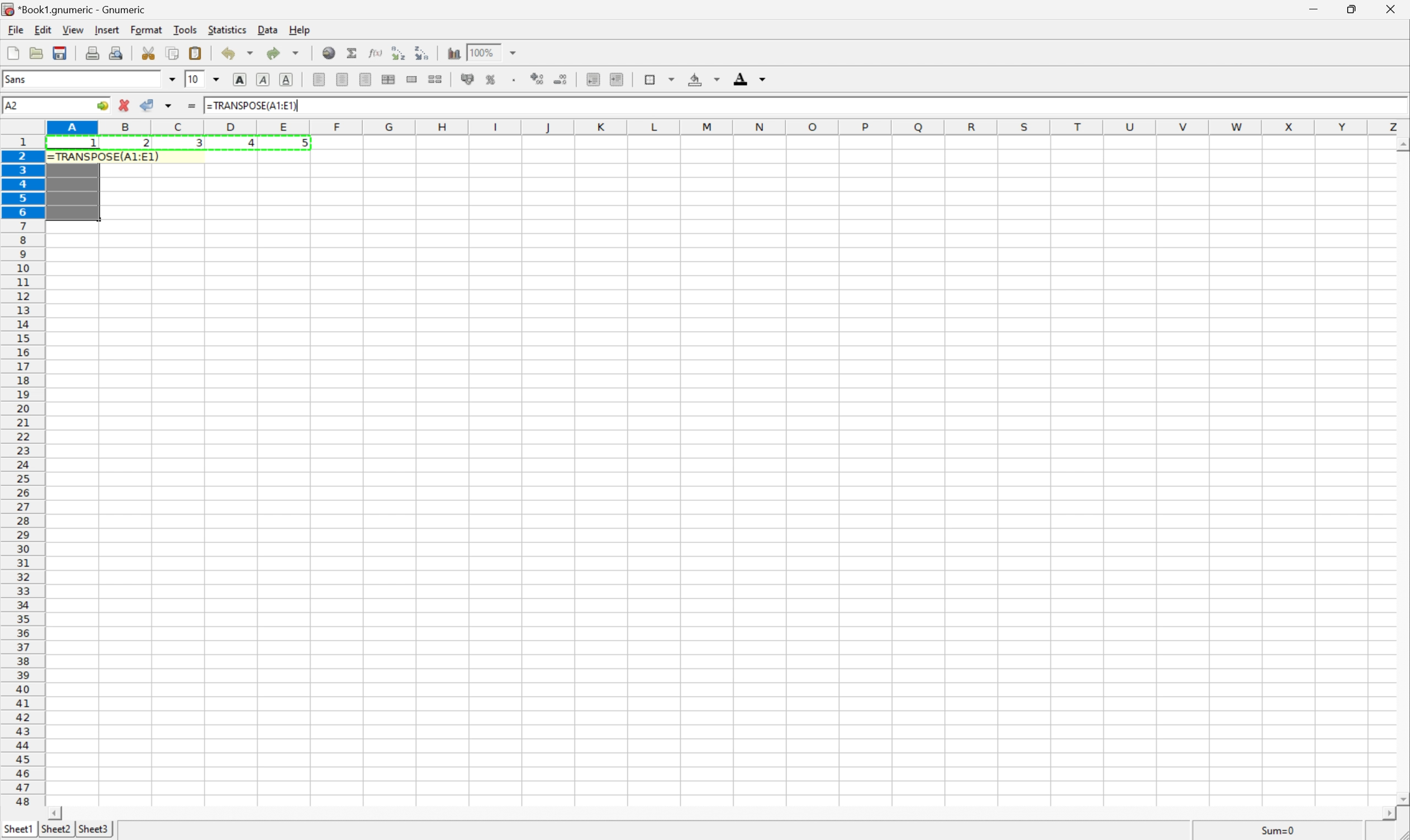  I want to click on center horizontally, so click(389, 79).